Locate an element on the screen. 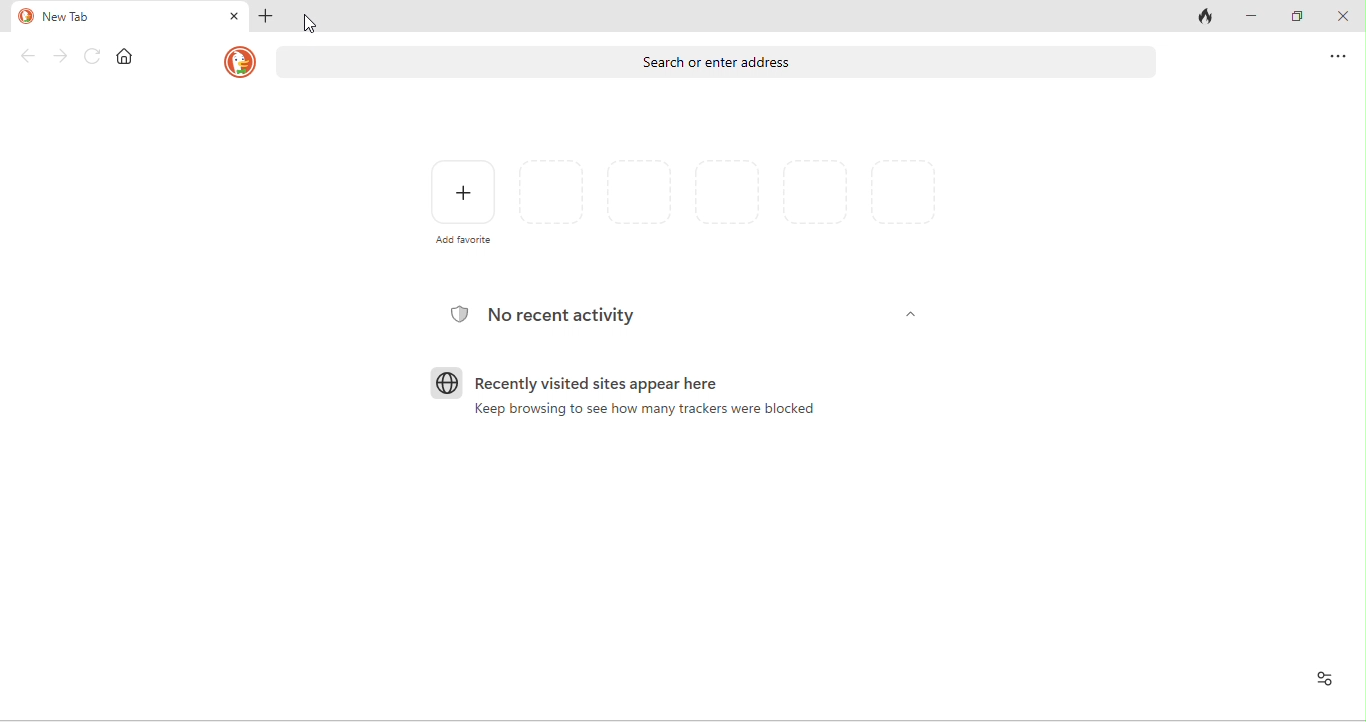 The image size is (1366, 722). forward is located at coordinates (60, 57).